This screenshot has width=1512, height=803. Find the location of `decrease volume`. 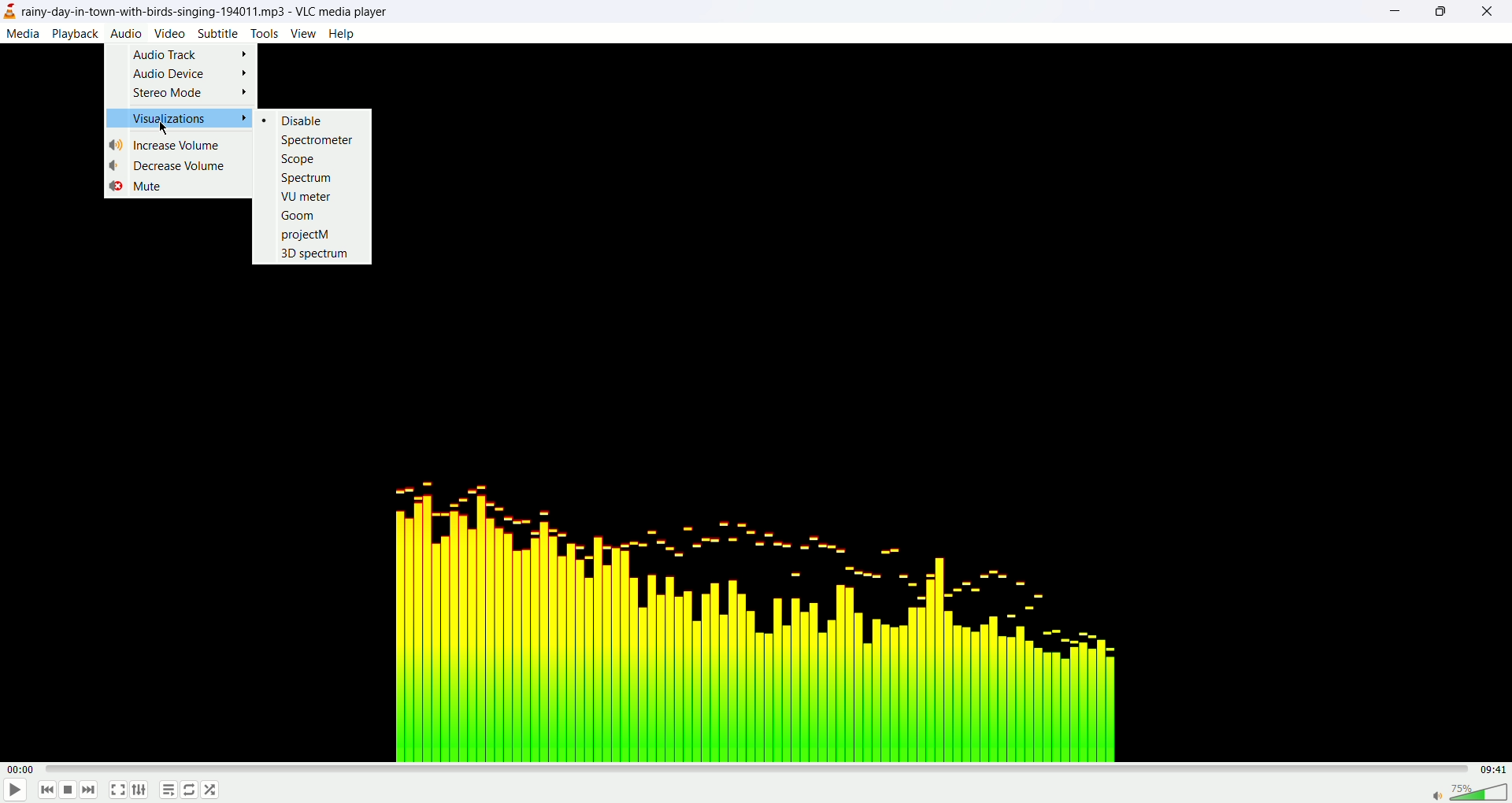

decrease volume is located at coordinates (169, 165).